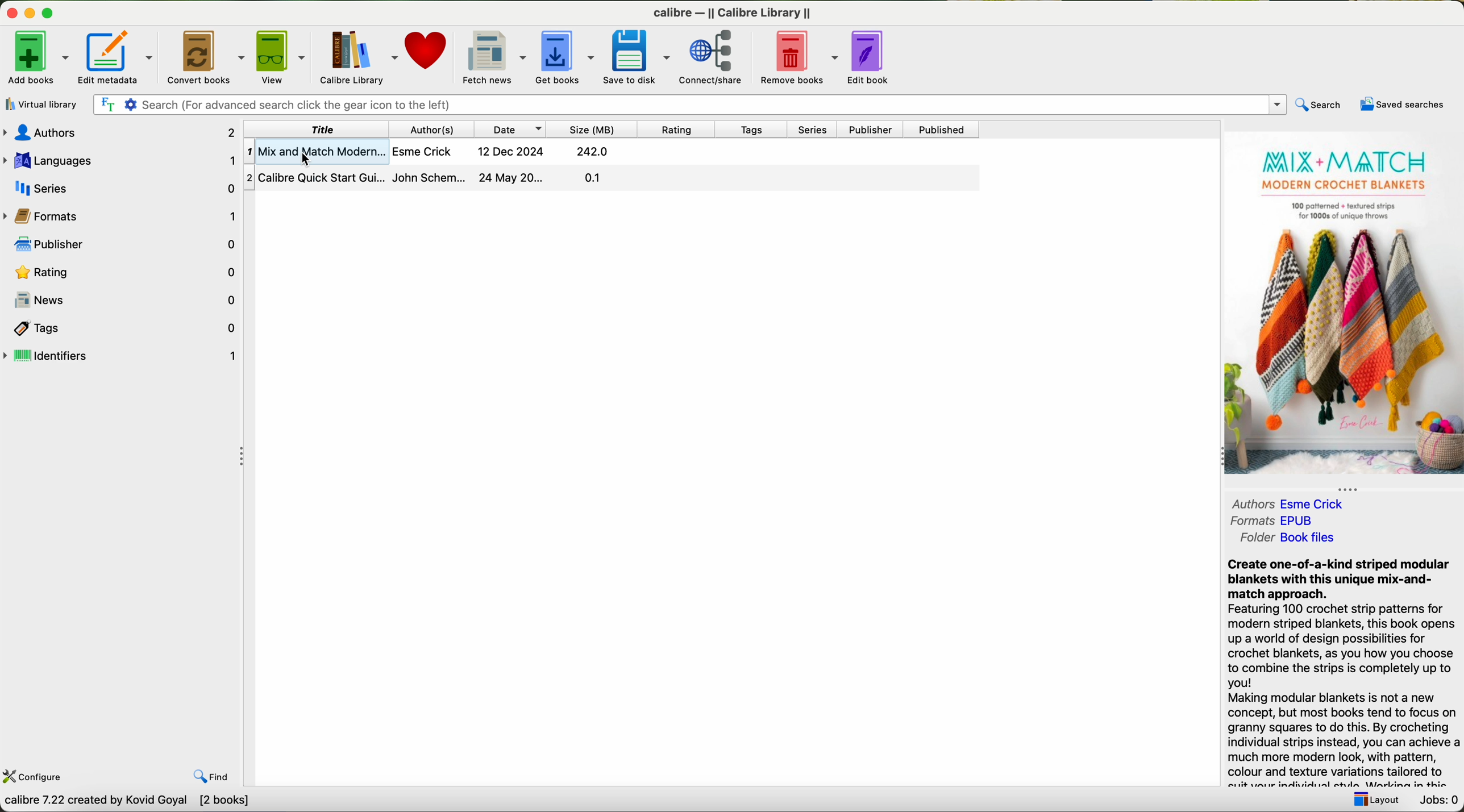  What do you see at coordinates (1317, 105) in the screenshot?
I see `search` at bounding box center [1317, 105].